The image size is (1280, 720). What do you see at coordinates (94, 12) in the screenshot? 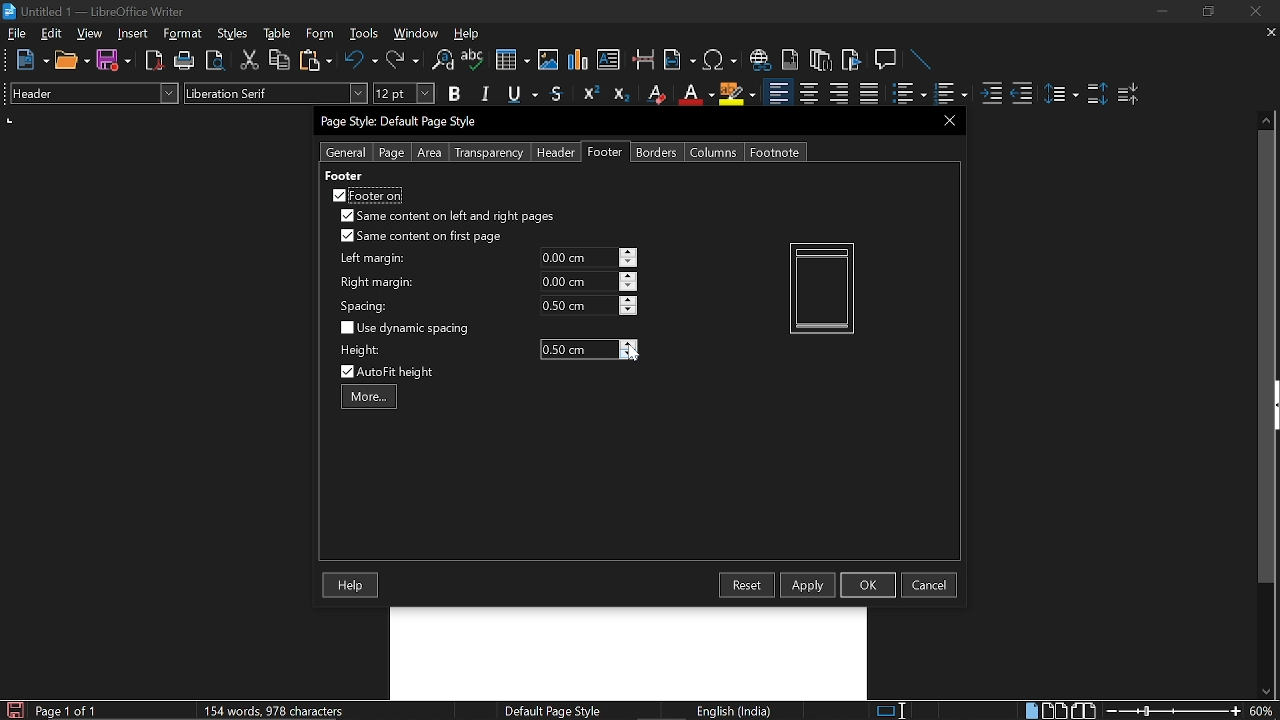
I see `Current window` at bounding box center [94, 12].